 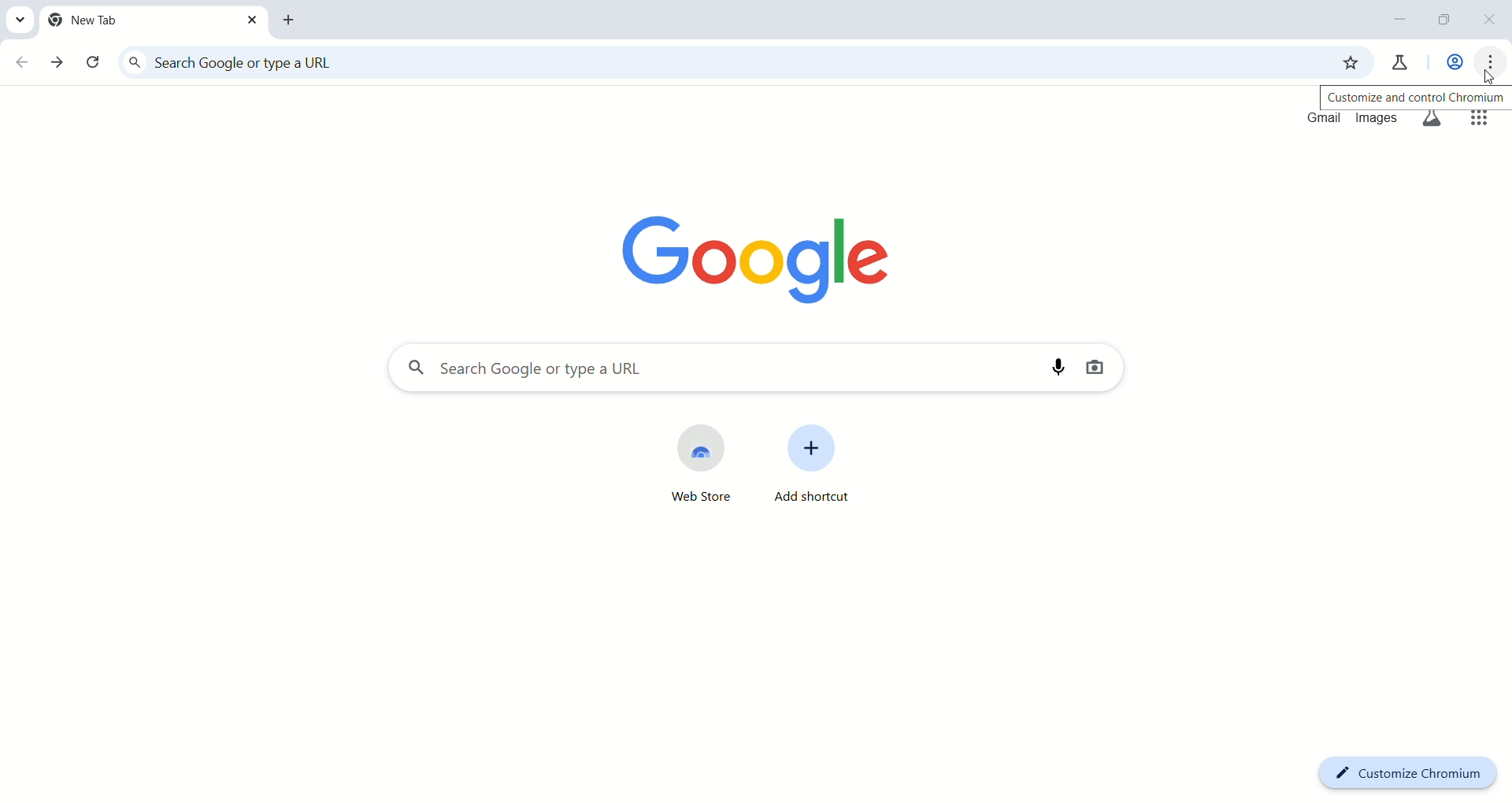 I want to click on bookmark this tab, so click(x=1349, y=62).